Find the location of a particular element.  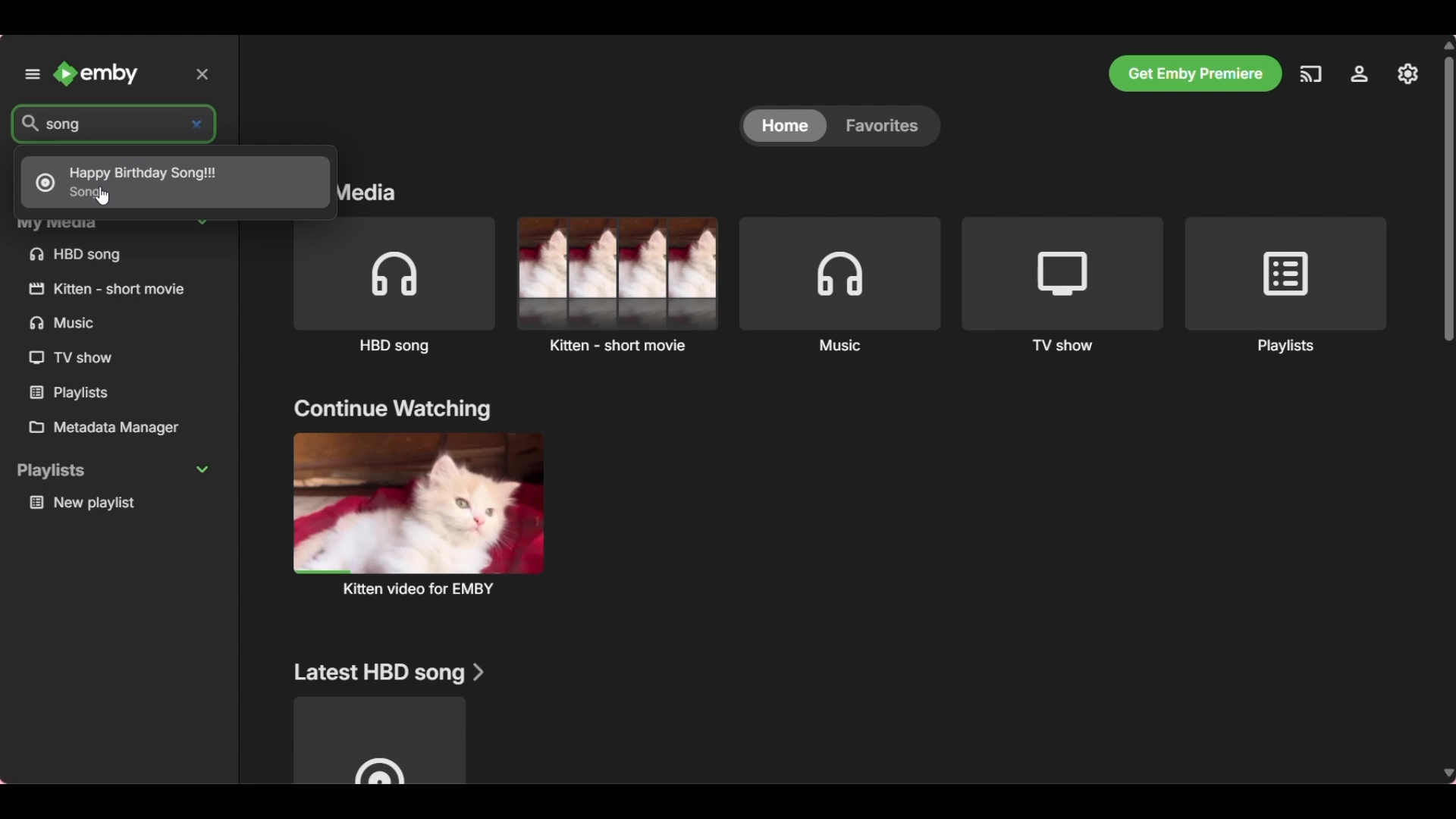

Playlists is located at coordinates (74, 393).